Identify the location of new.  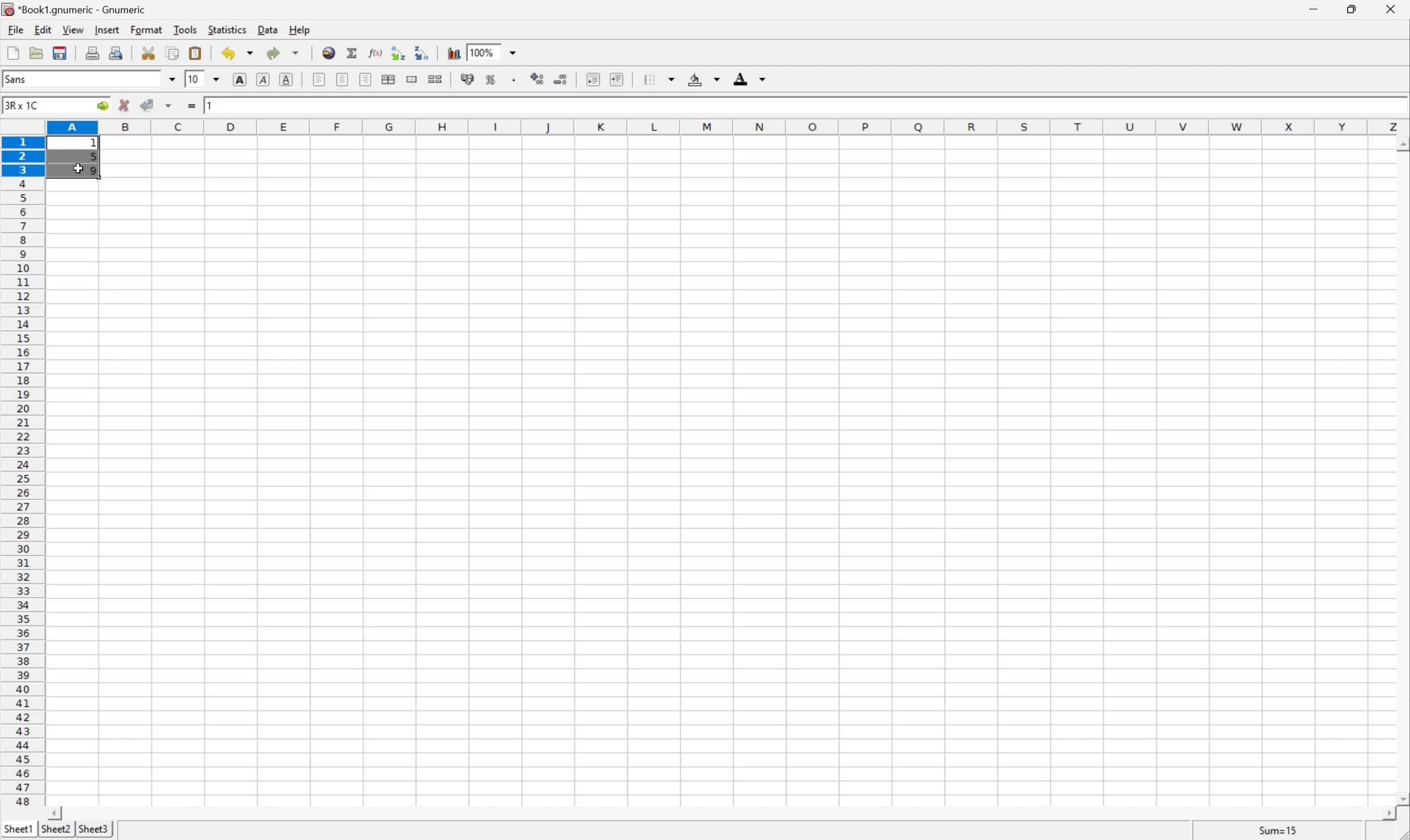
(14, 50).